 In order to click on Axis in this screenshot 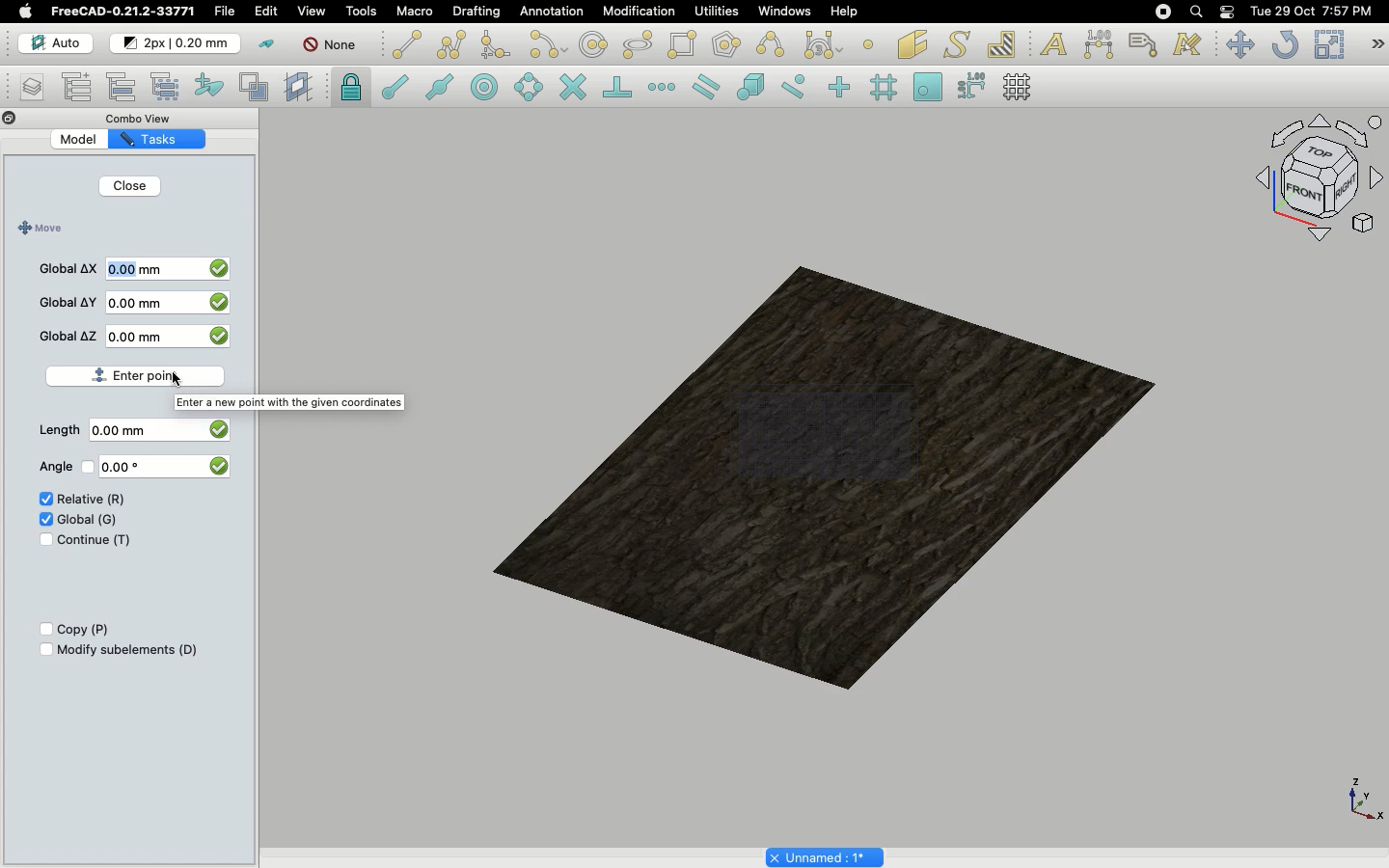, I will do `click(1361, 798)`.